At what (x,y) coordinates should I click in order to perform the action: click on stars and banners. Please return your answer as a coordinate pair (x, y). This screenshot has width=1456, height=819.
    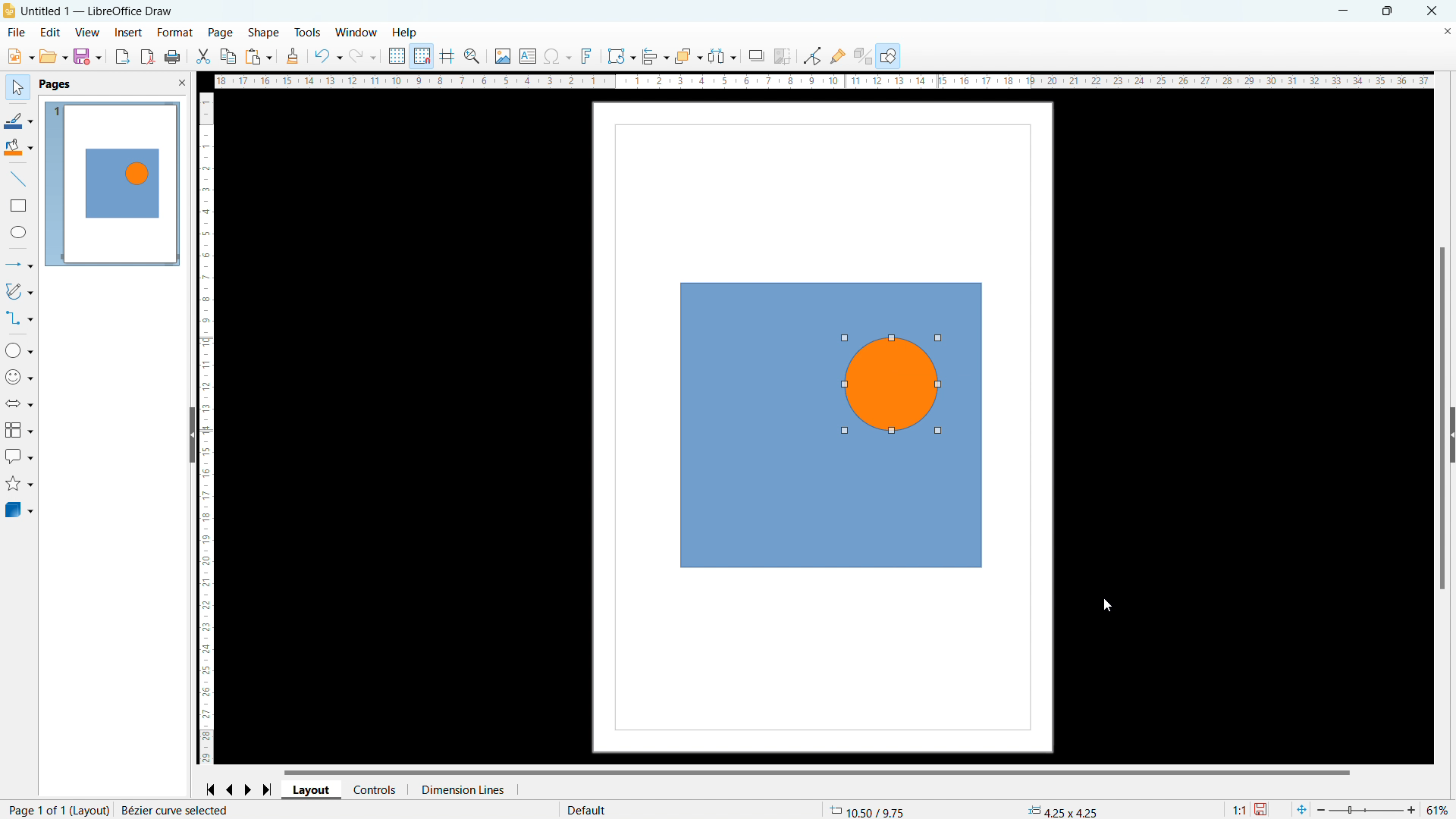
    Looking at the image, I should click on (19, 482).